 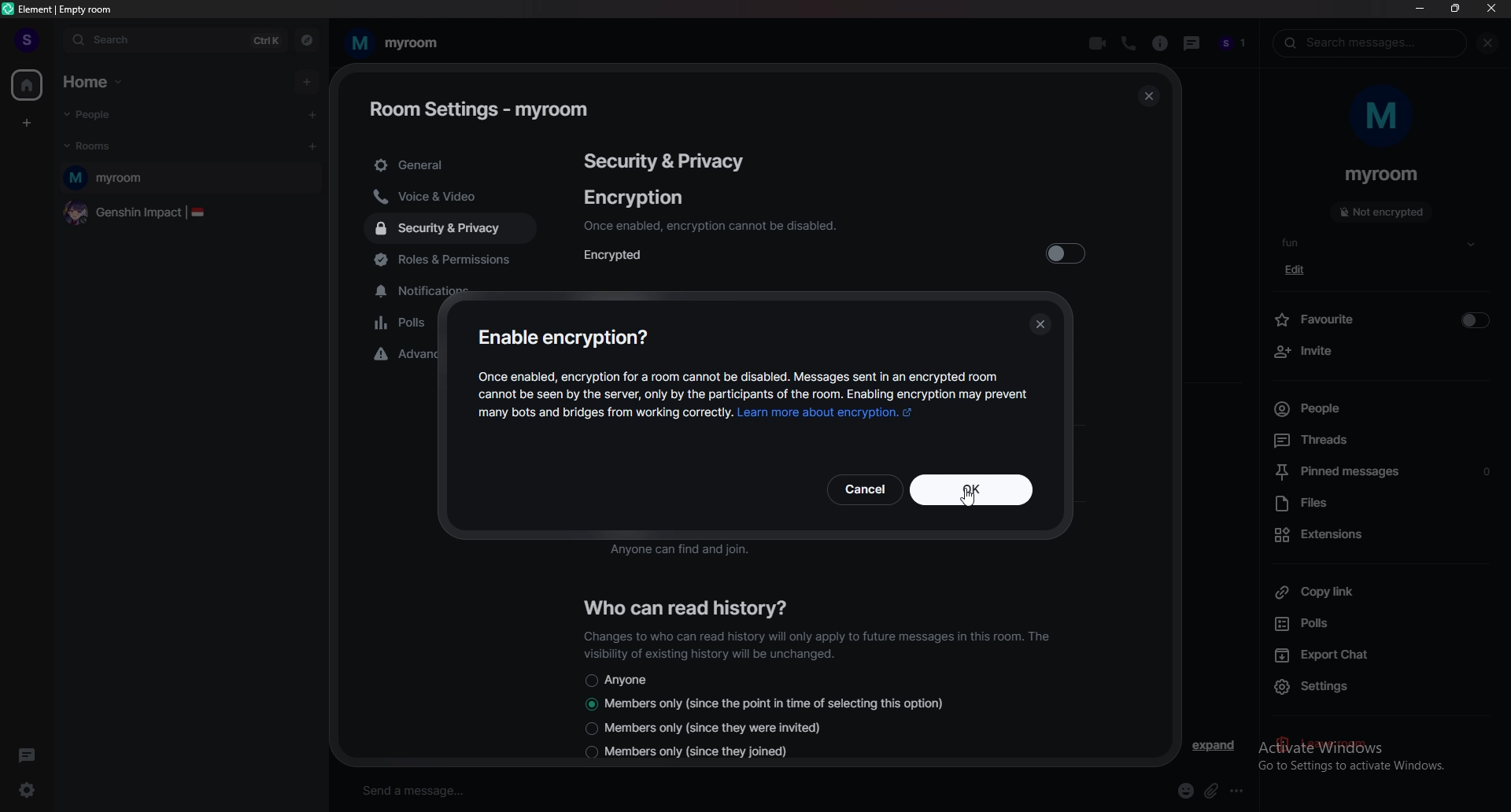 I want to click on go to settings to activate windows, so click(x=1384, y=769).